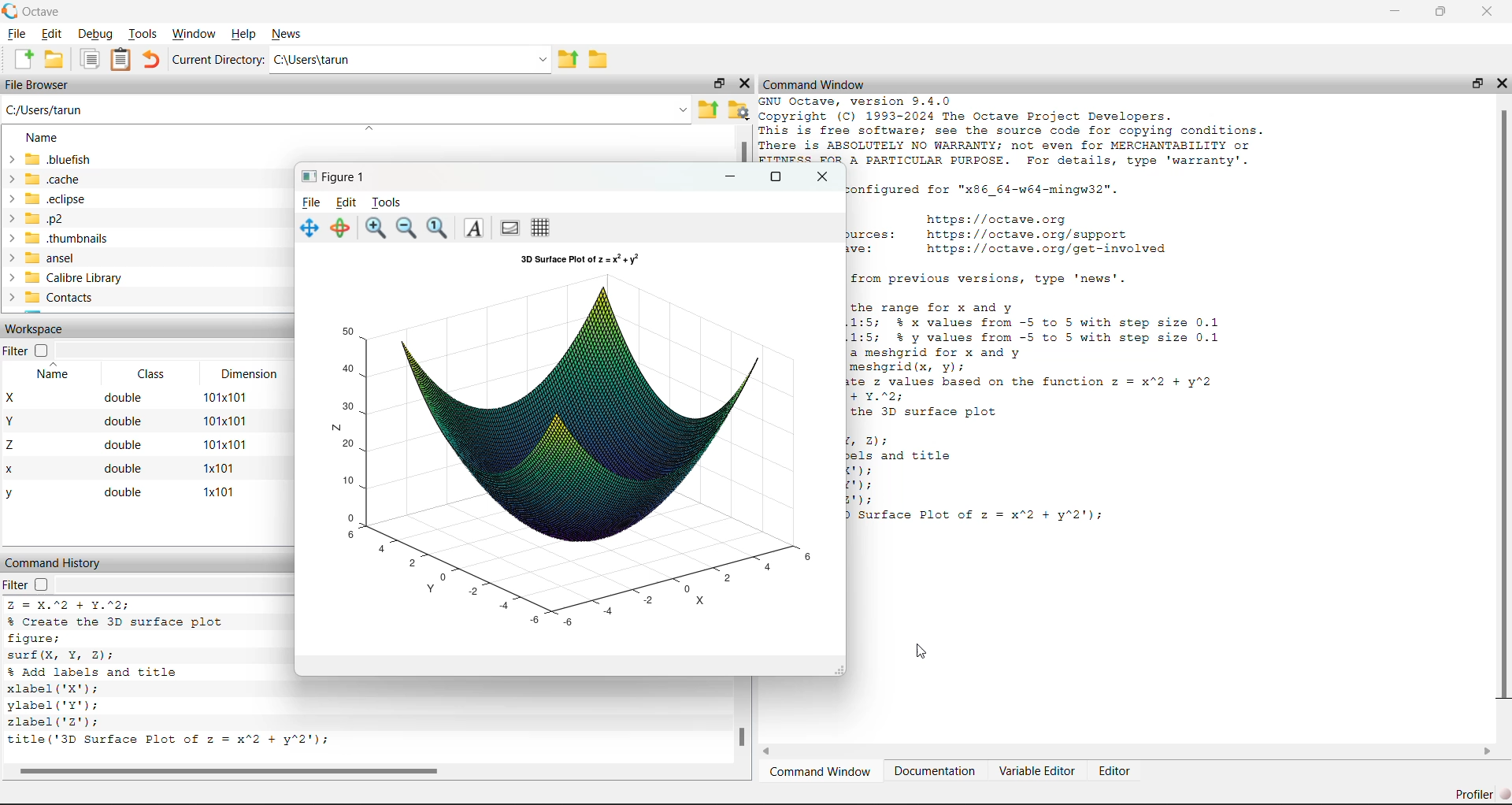 The image size is (1512, 805). I want to click on Minimize, so click(728, 176).